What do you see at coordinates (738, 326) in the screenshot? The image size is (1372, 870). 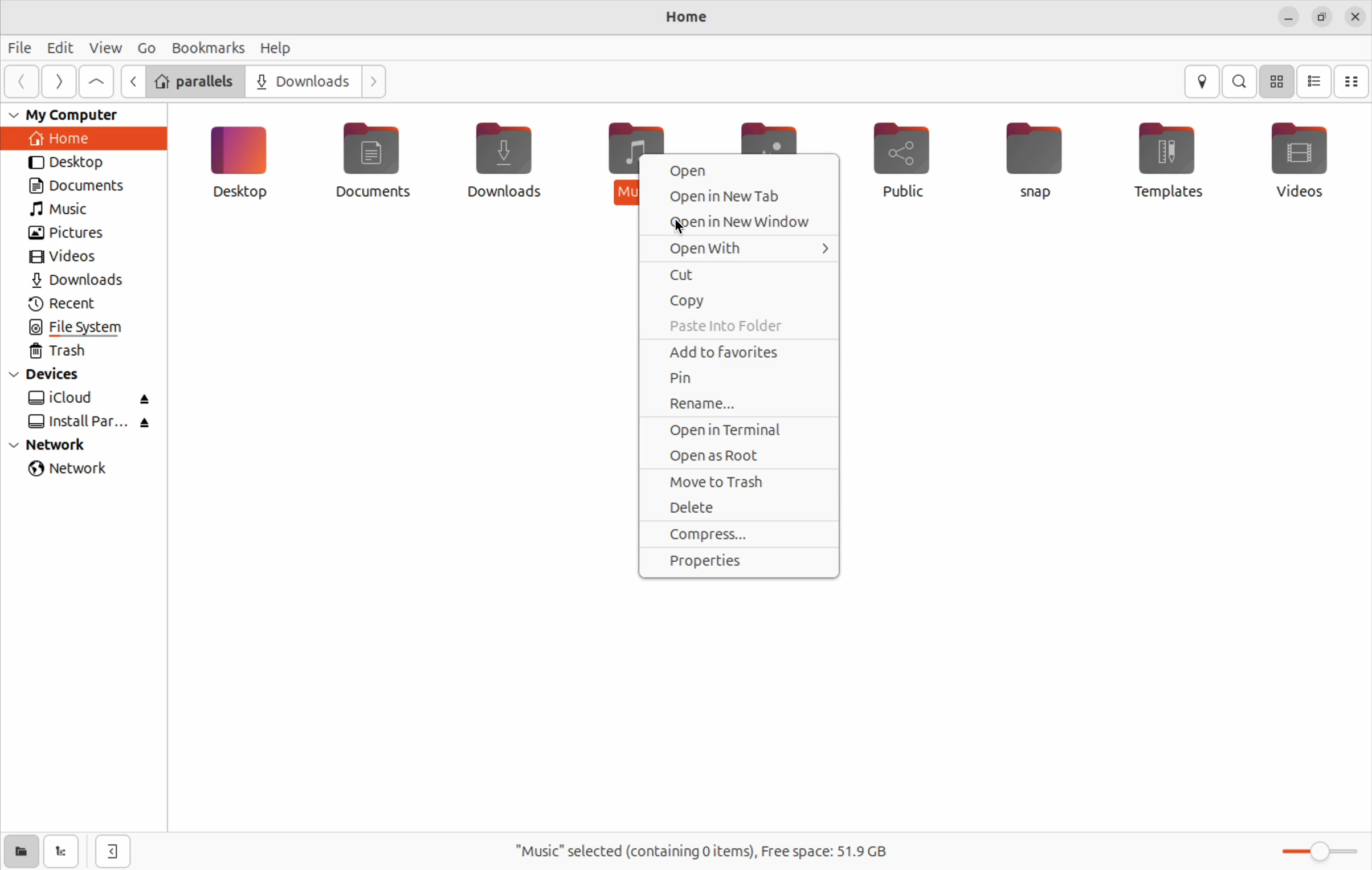 I see `paste in folder` at bounding box center [738, 326].